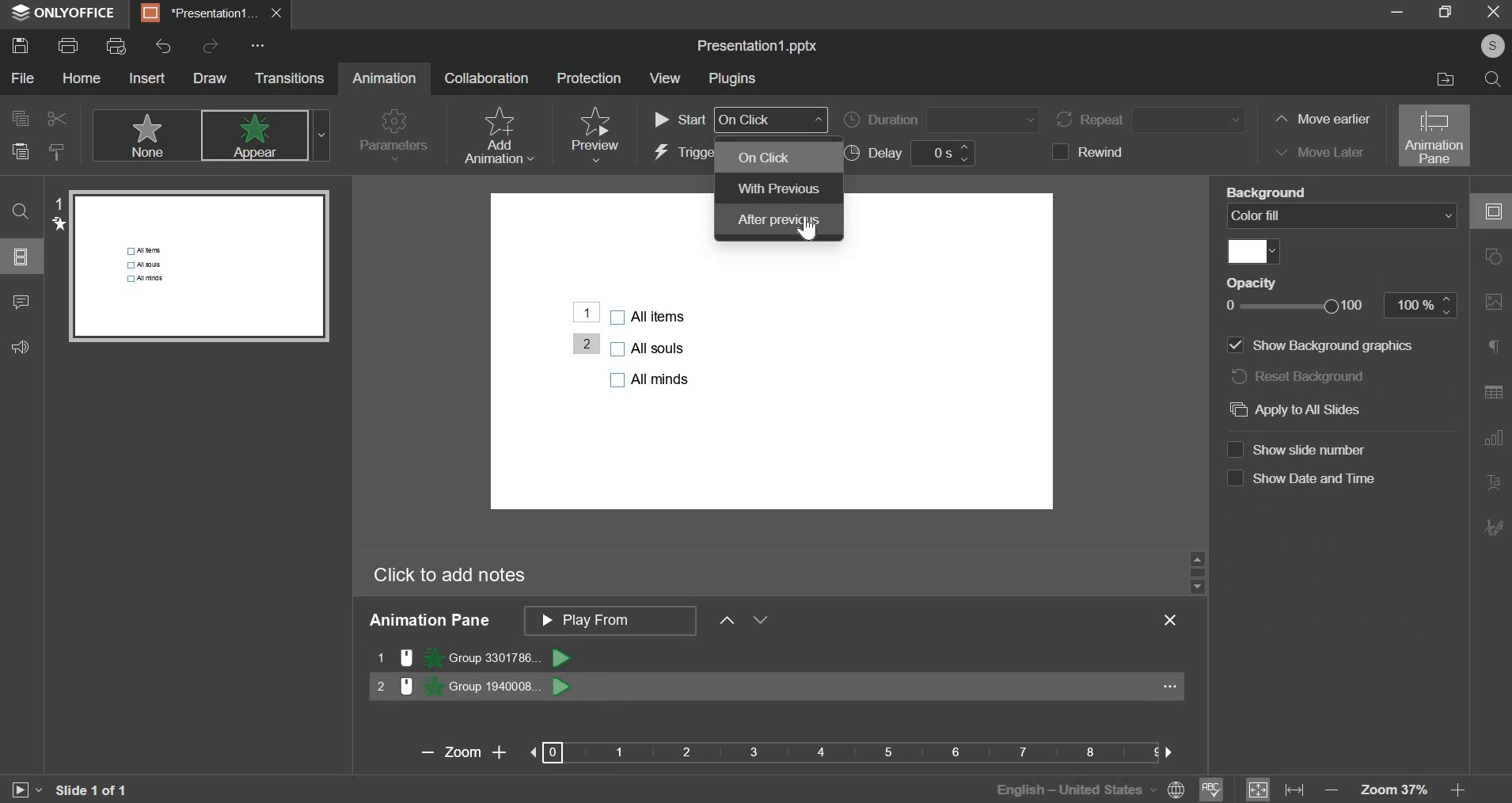  I want to click on file, so click(24, 78).